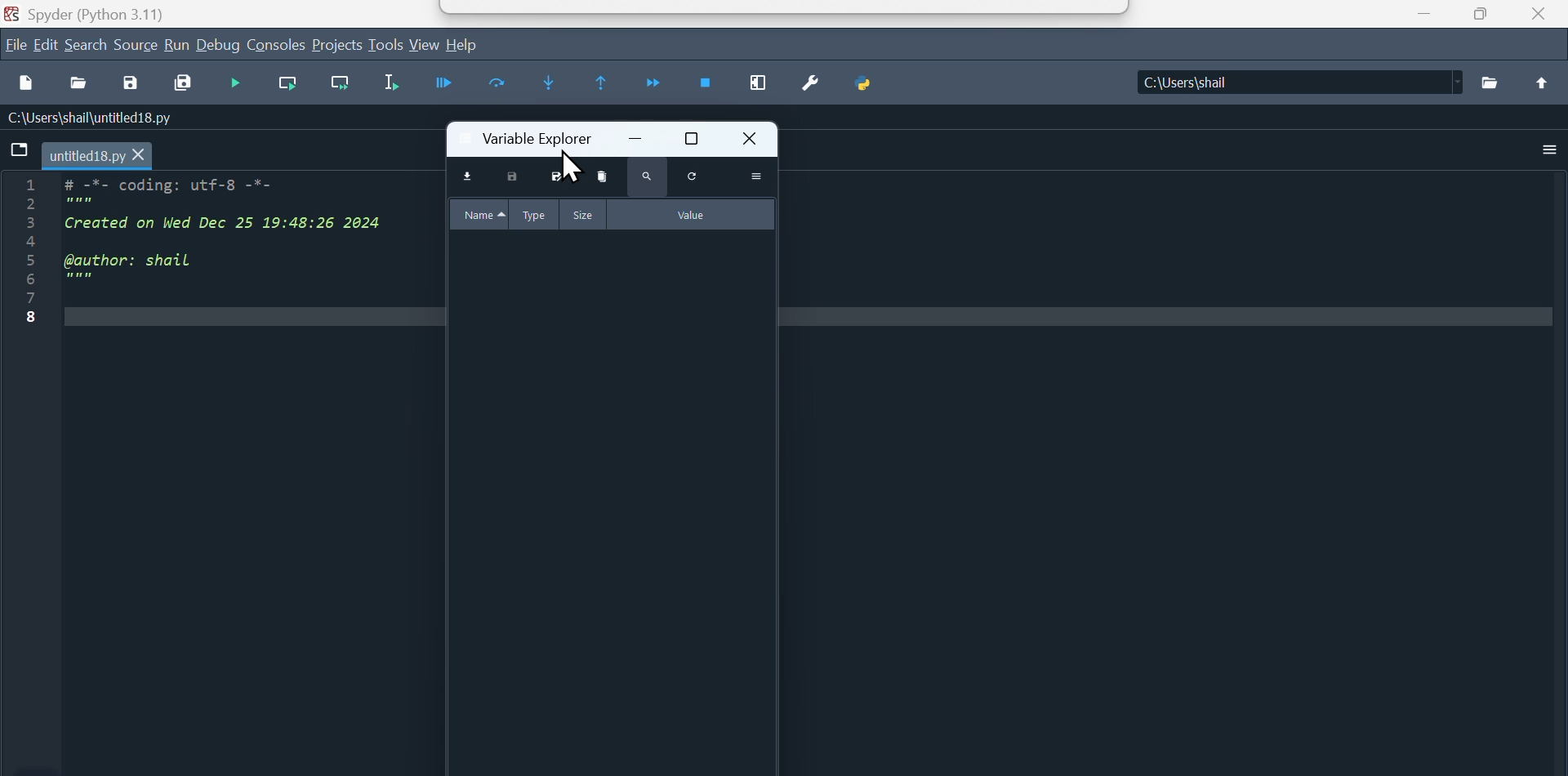  Describe the element at coordinates (574, 171) in the screenshot. I see `Cursor` at that location.